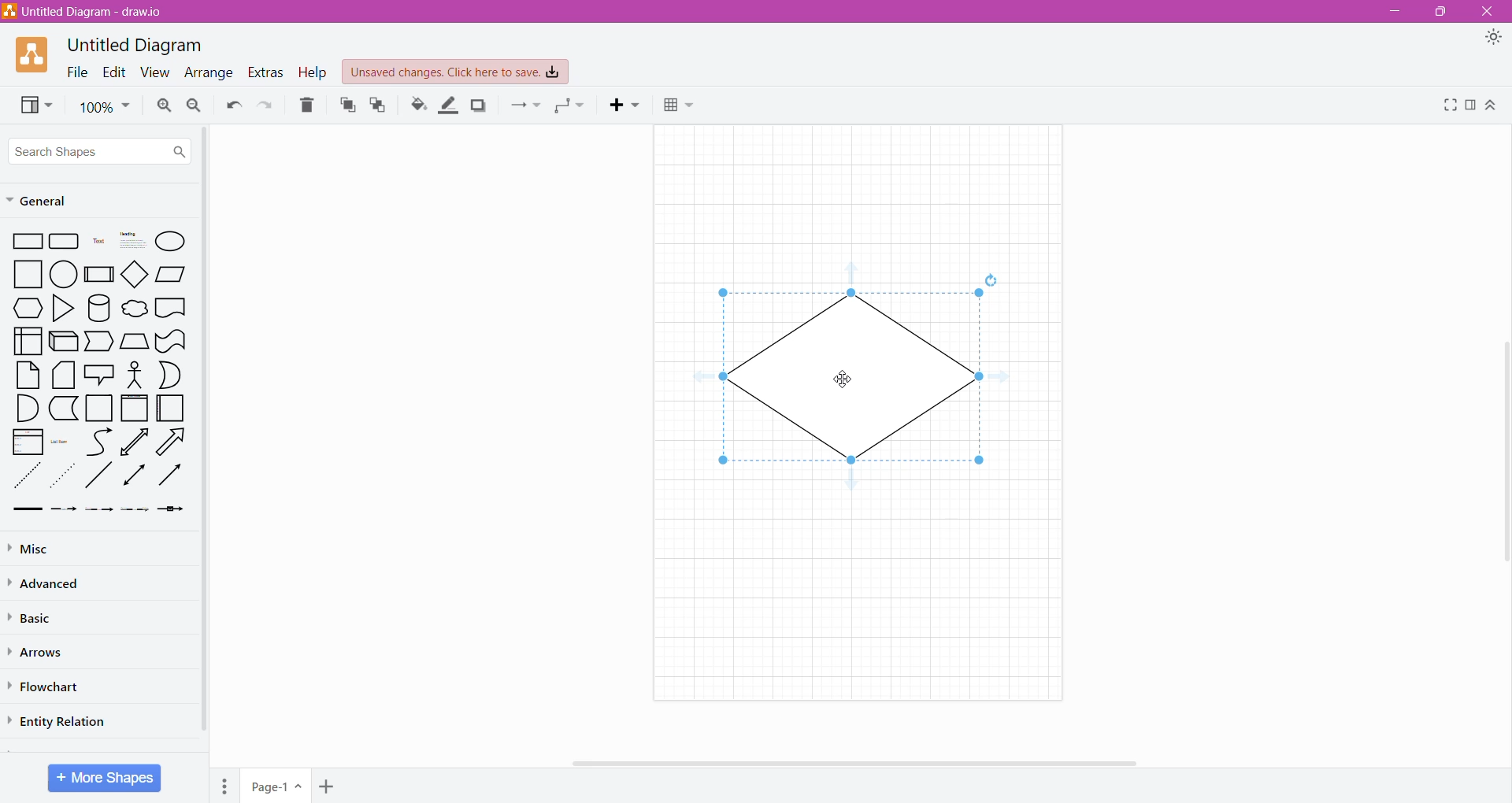  What do you see at coordinates (54, 584) in the screenshot?
I see `Advanced` at bounding box center [54, 584].